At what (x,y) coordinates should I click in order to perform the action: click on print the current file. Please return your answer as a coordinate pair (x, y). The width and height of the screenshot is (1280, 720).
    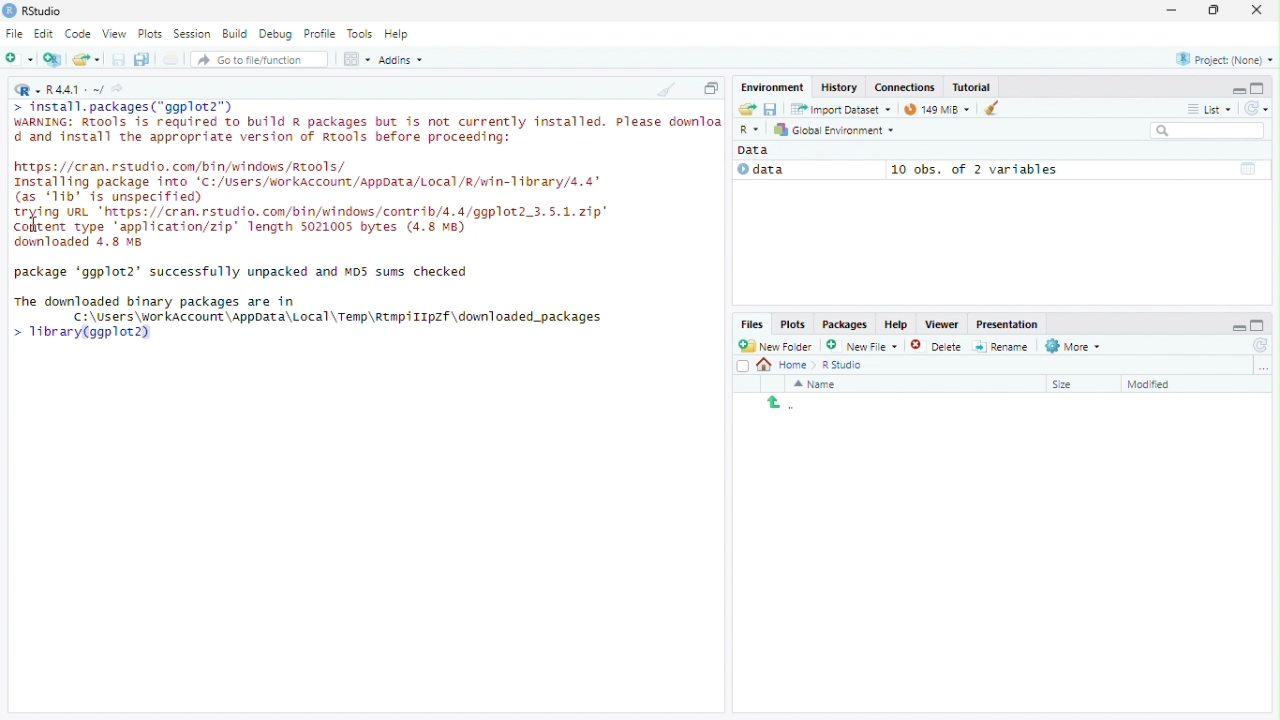
    Looking at the image, I should click on (171, 59).